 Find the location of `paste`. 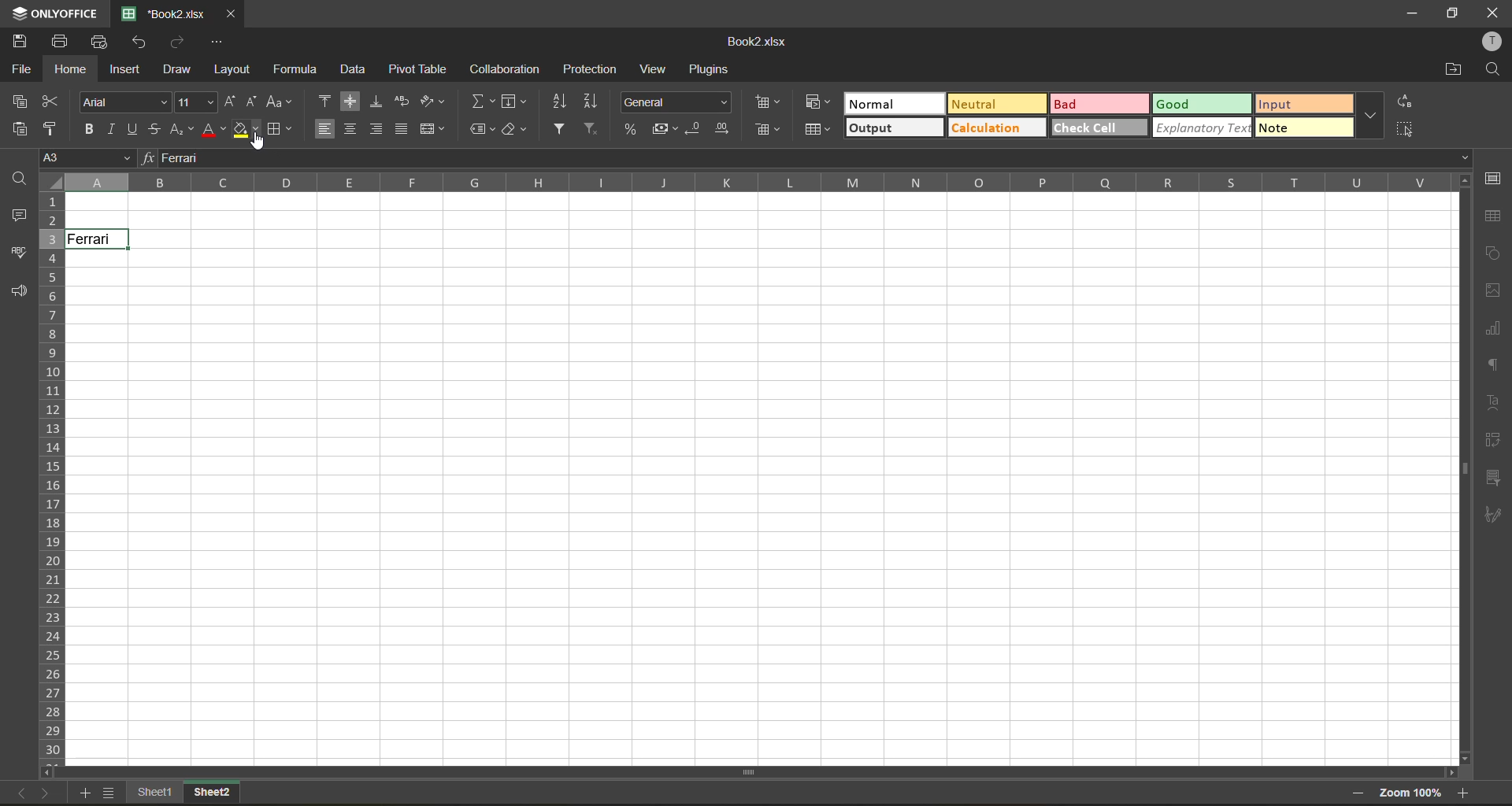

paste is located at coordinates (20, 129).